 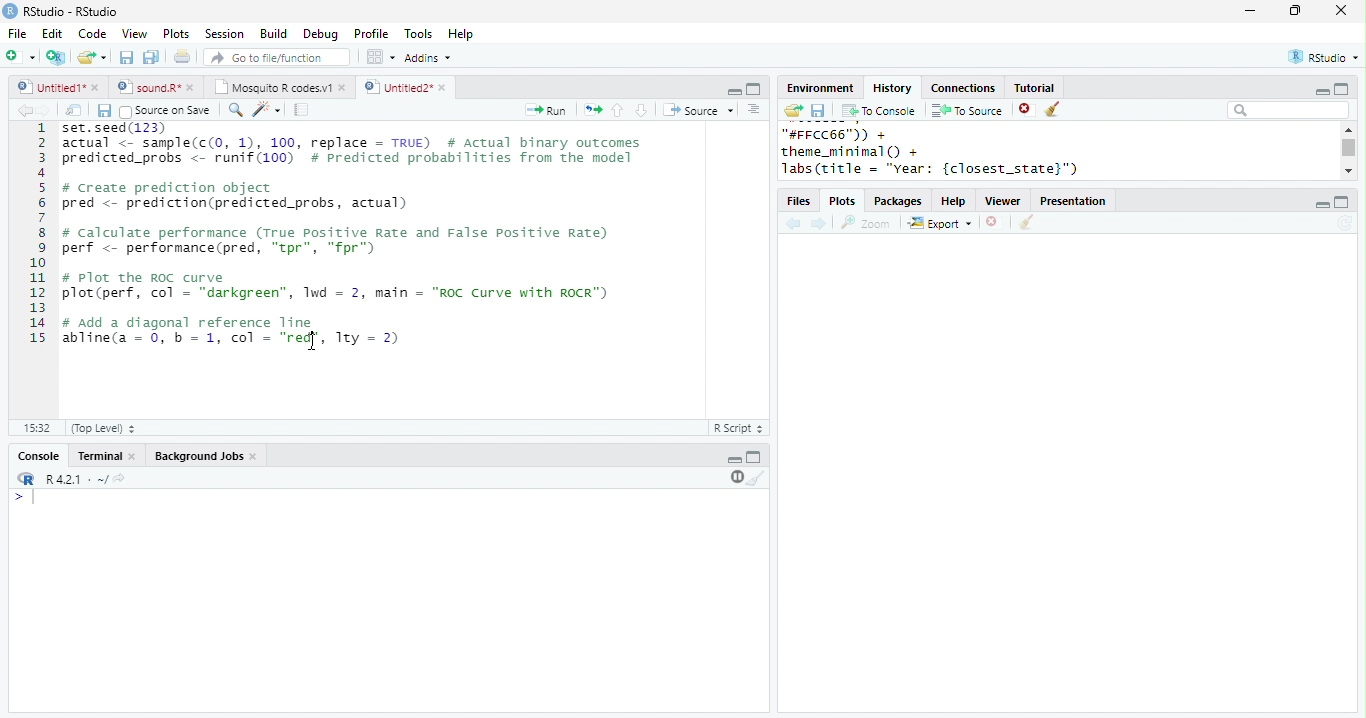 What do you see at coordinates (267, 109) in the screenshot?
I see `code tools` at bounding box center [267, 109].